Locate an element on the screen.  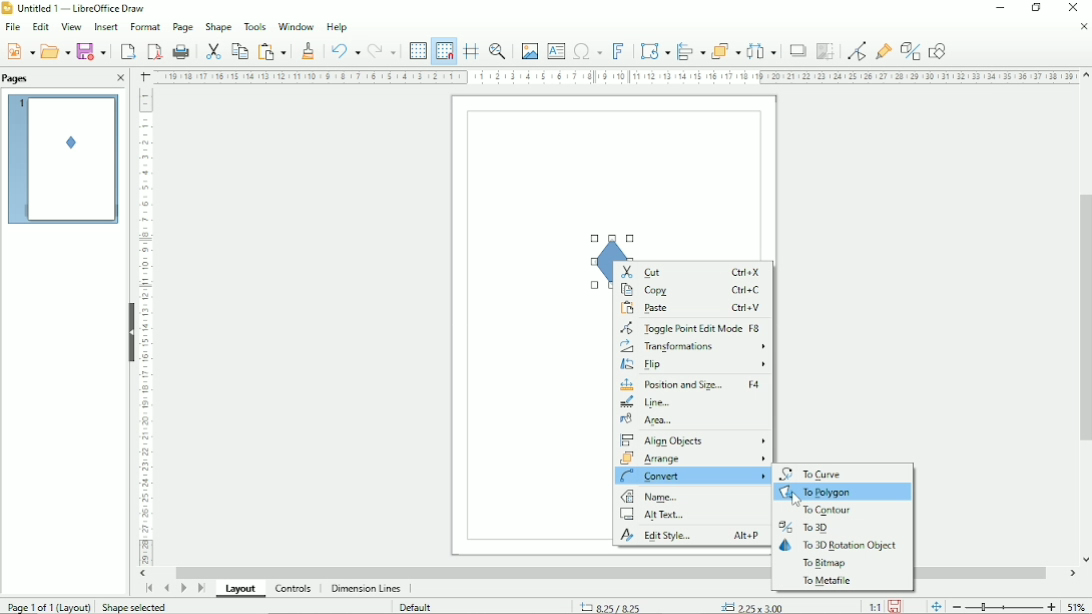
Clone formatting is located at coordinates (309, 49).